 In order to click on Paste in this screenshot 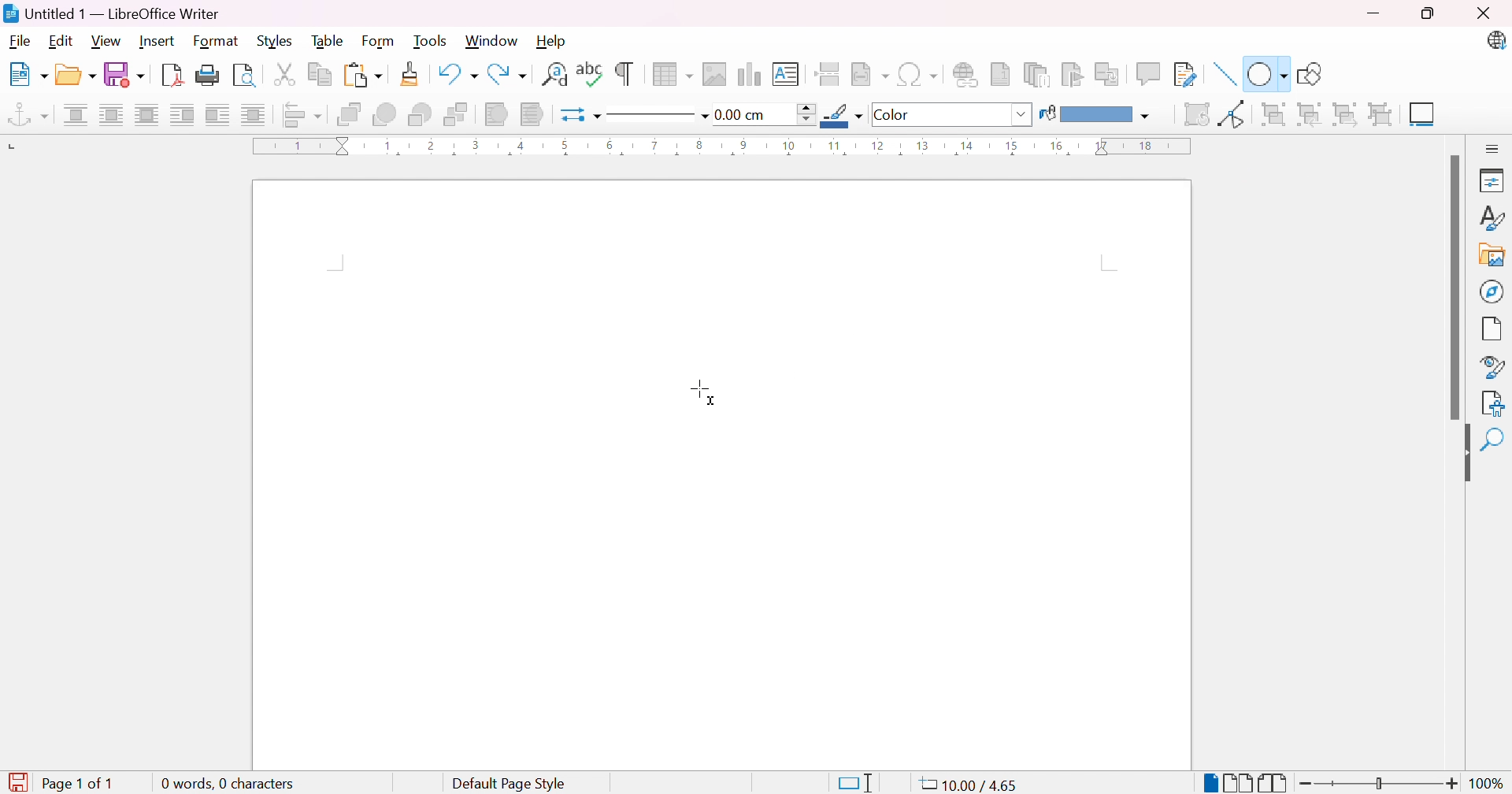, I will do `click(363, 76)`.